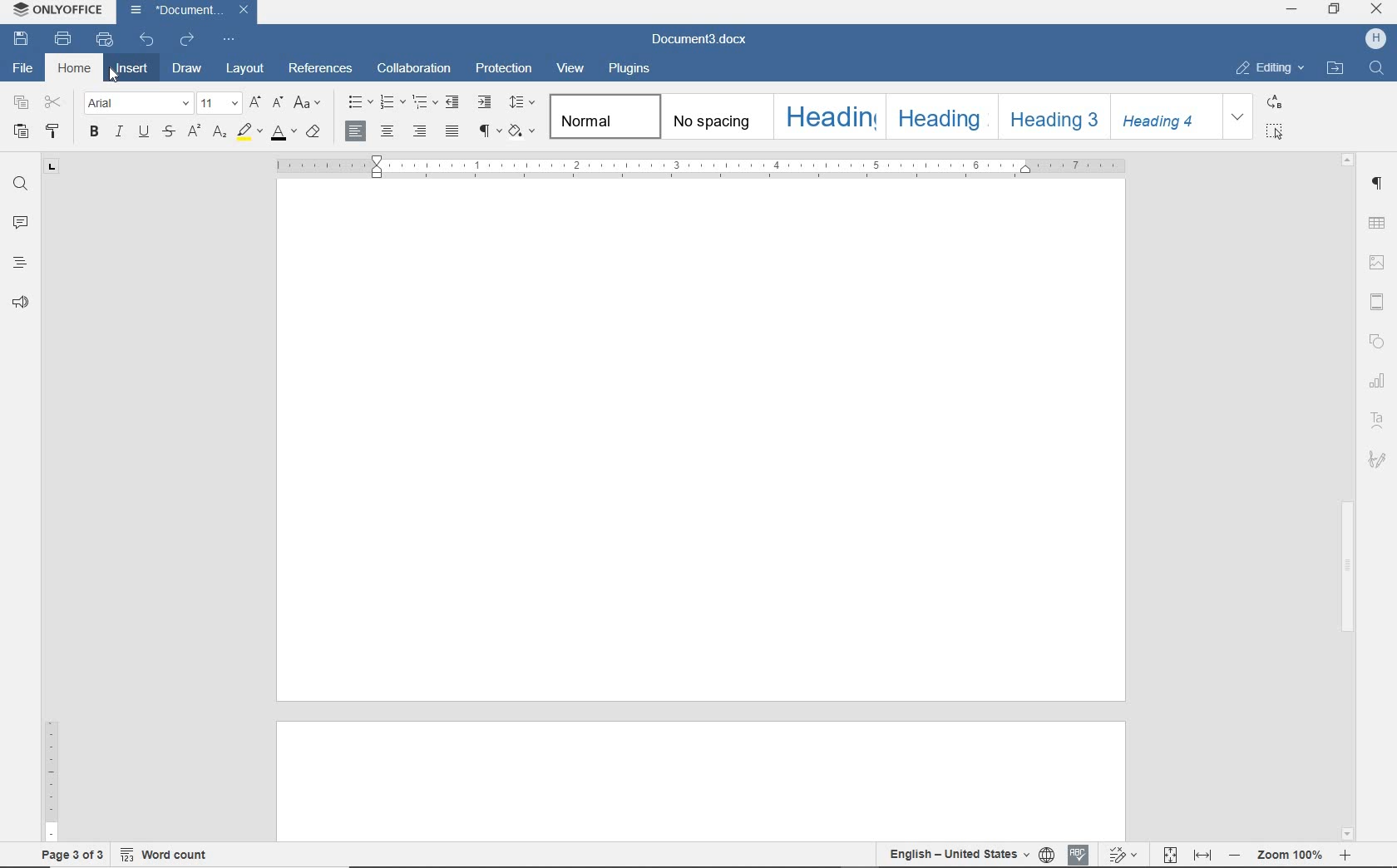 The height and width of the screenshot is (868, 1397). Describe the element at coordinates (21, 103) in the screenshot. I see `COPY` at that location.